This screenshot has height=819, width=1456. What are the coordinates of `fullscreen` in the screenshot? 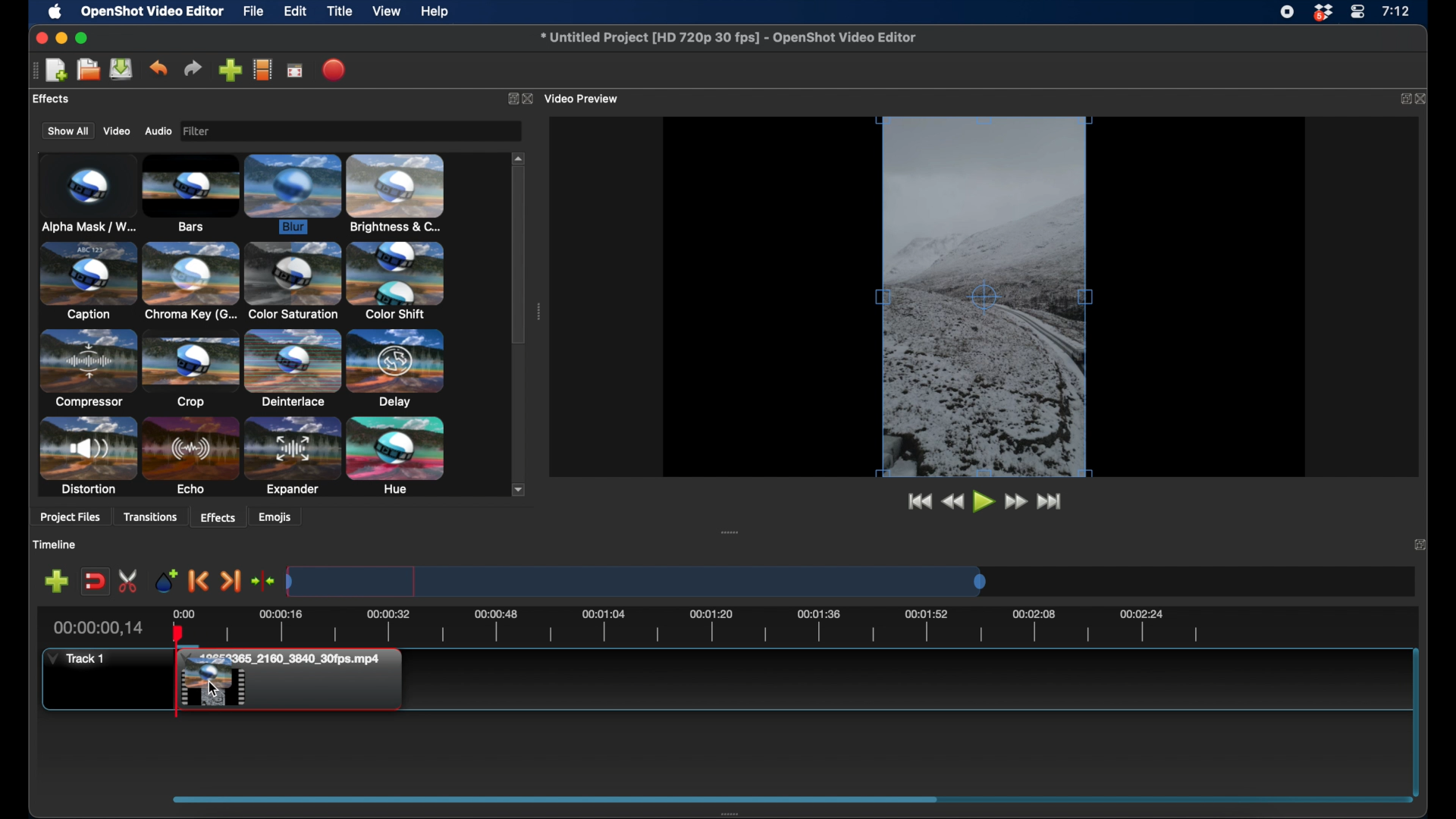 It's located at (296, 70).